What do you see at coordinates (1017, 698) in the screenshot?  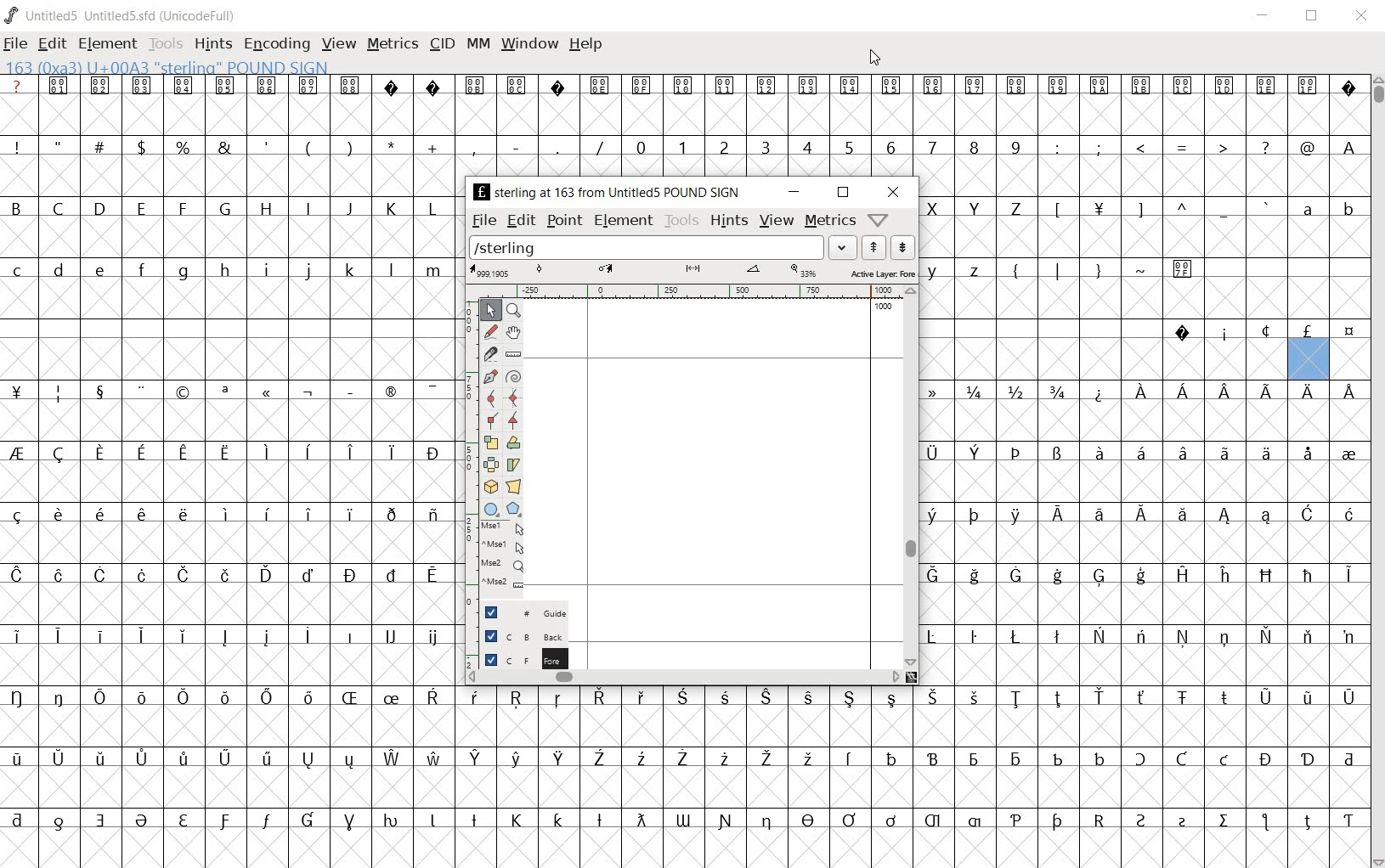 I see `Symbol` at bounding box center [1017, 698].